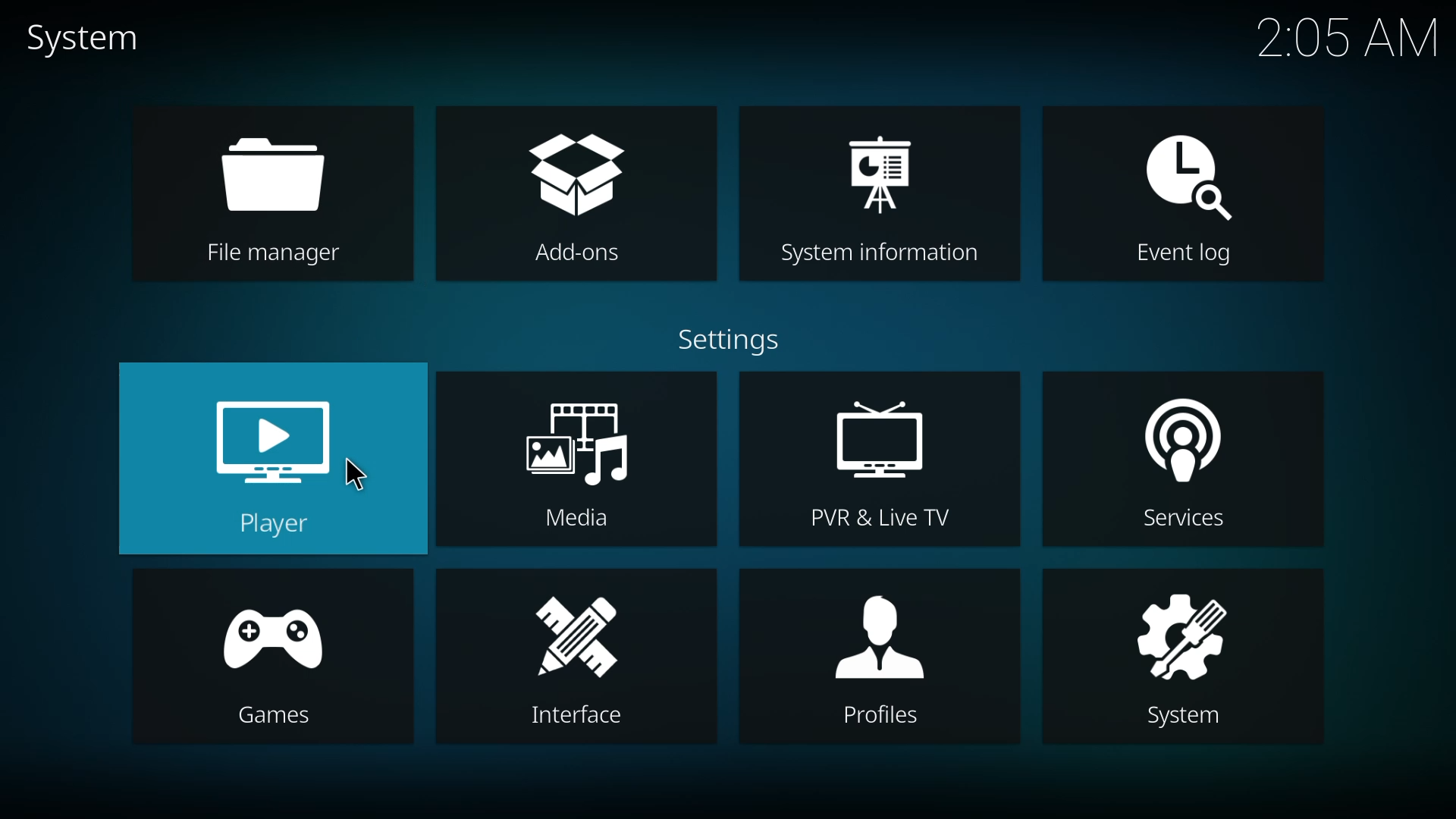 This screenshot has height=819, width=1456. Describe the element at coordinates (576, 659) in the screenshot. I see `interface` at that location.